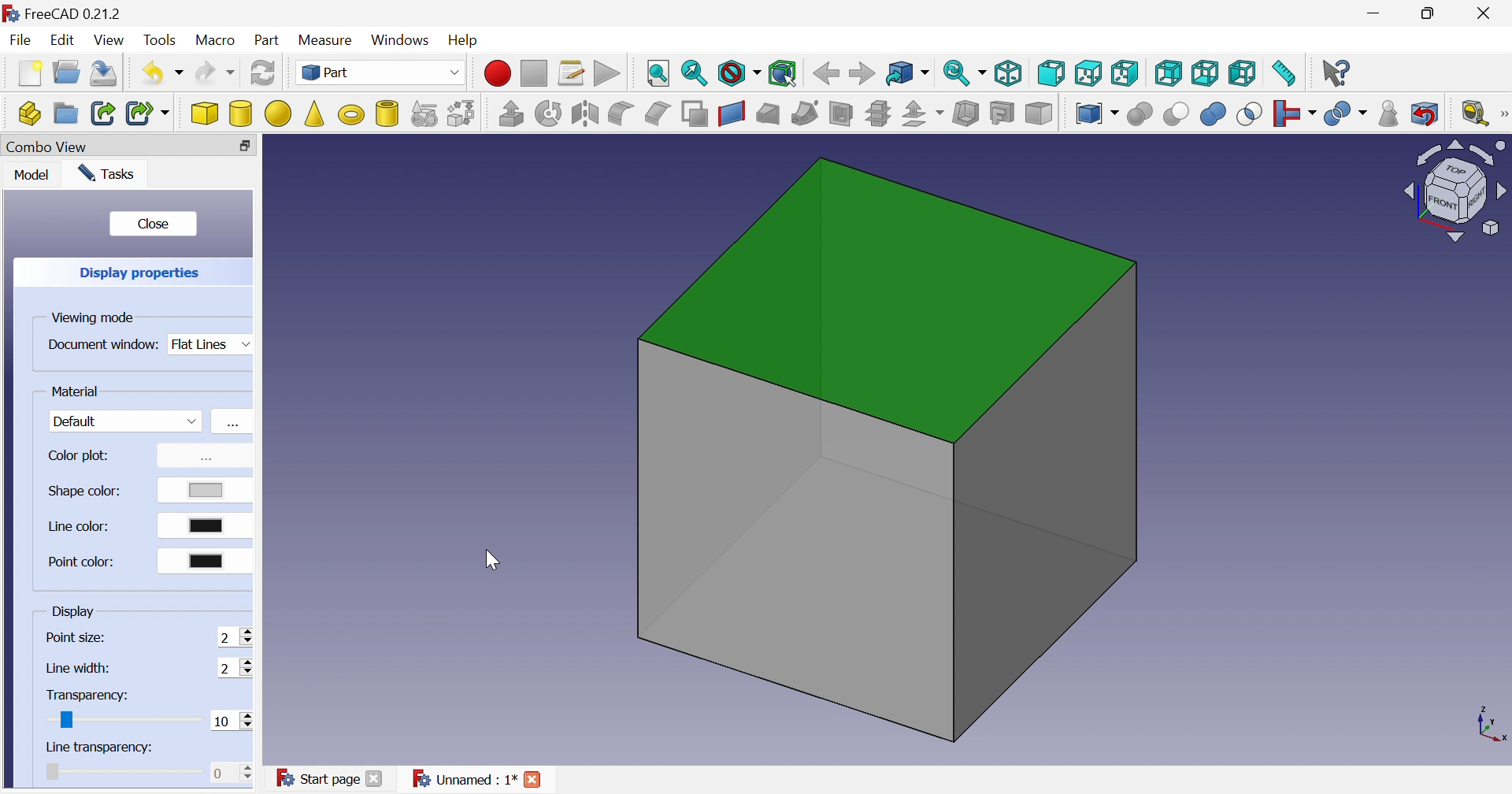 This screenshot has width=1512, height=794. Describe the element at coordinates (65, 113) in the screenshot. I see `Create group` at that location.